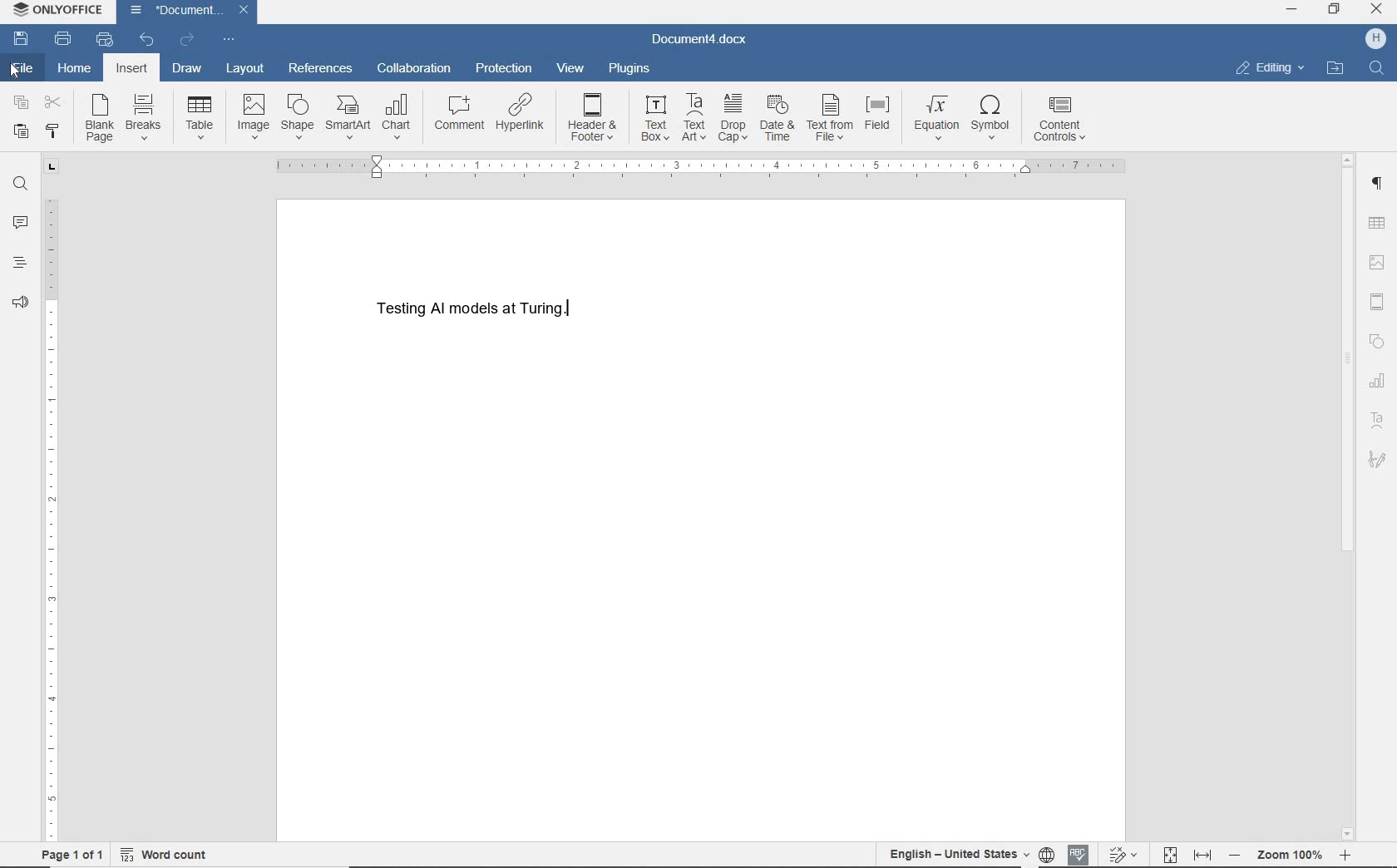  I want to click on hyperlink, so click(521, 116).